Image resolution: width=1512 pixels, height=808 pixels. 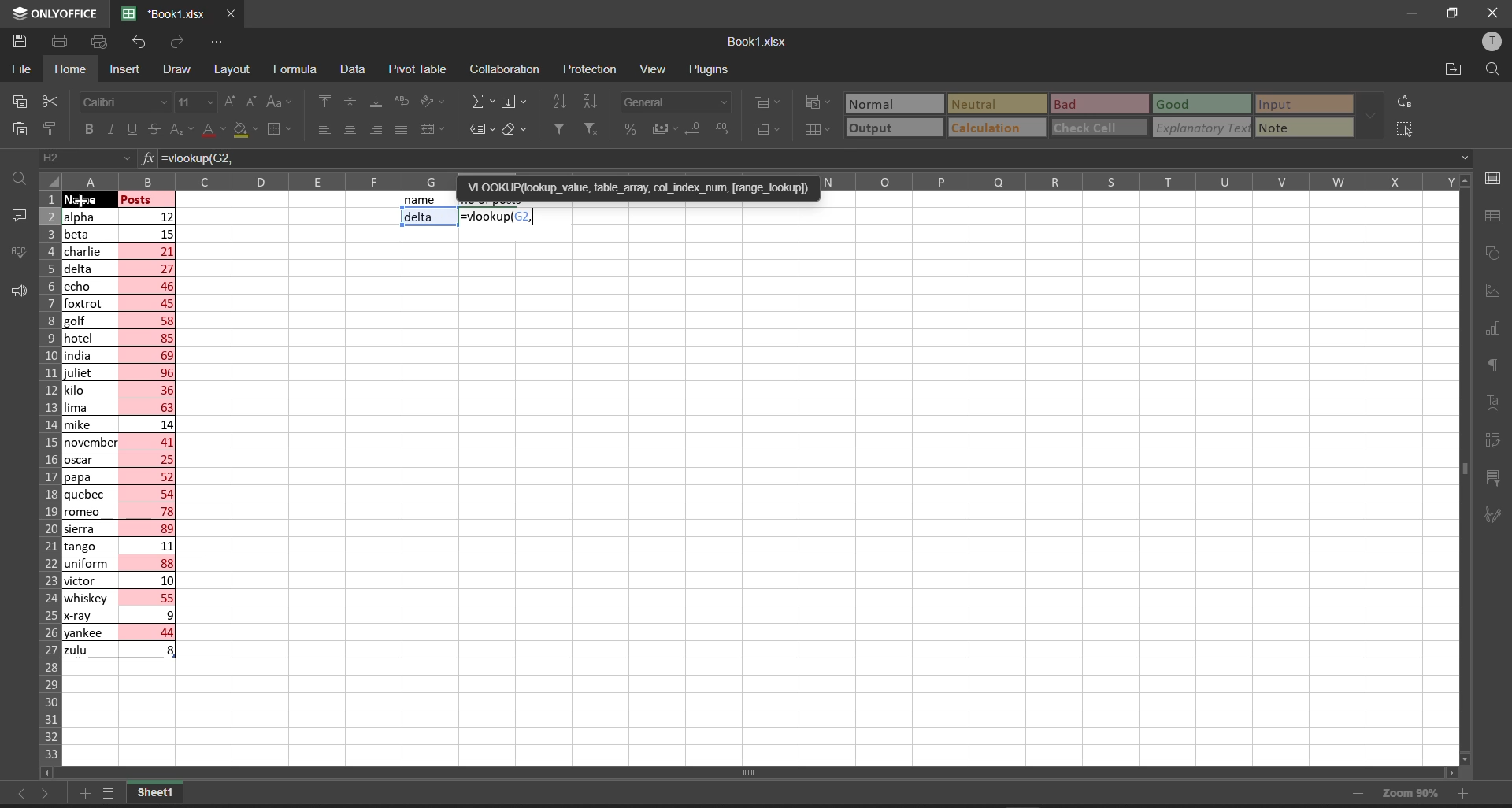 What do you see at coordinates (155, 792) in the screenshot?
I see `sheet1` at bounding box center [155, 792].